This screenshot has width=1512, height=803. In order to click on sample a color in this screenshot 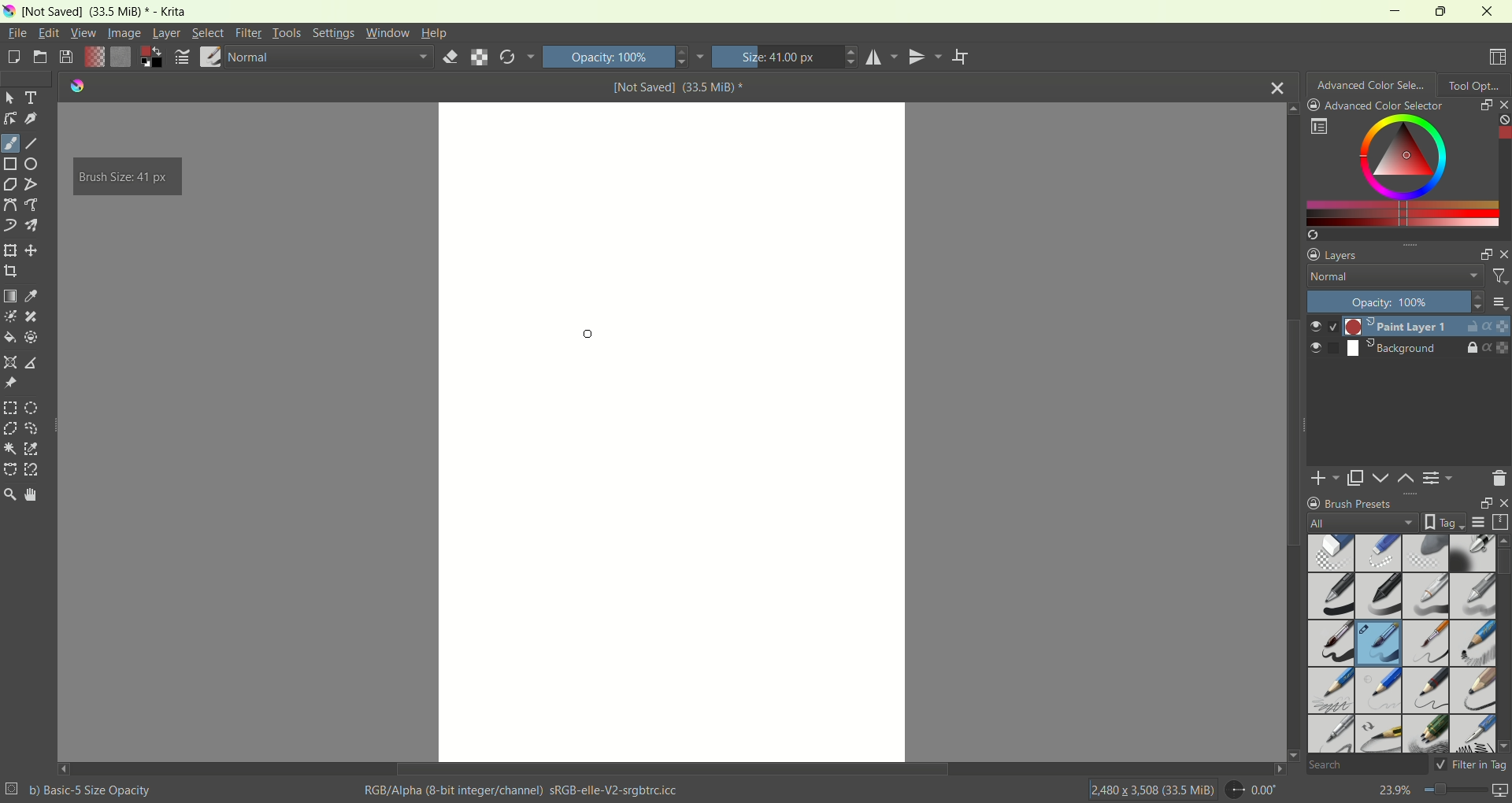, I will do `click(31, 295)`.